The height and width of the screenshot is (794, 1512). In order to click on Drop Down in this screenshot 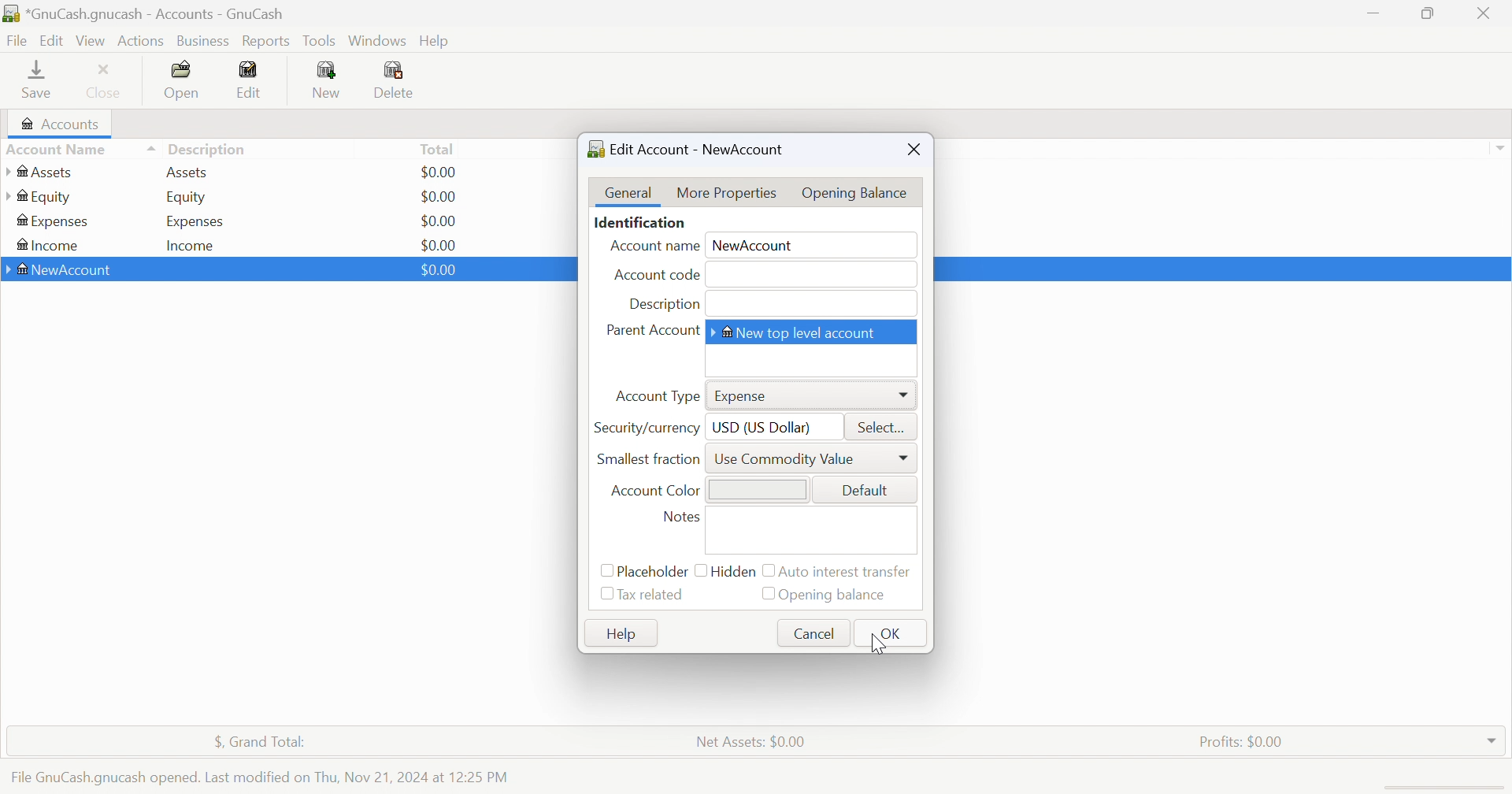, I will do `click(1499, 148)`.